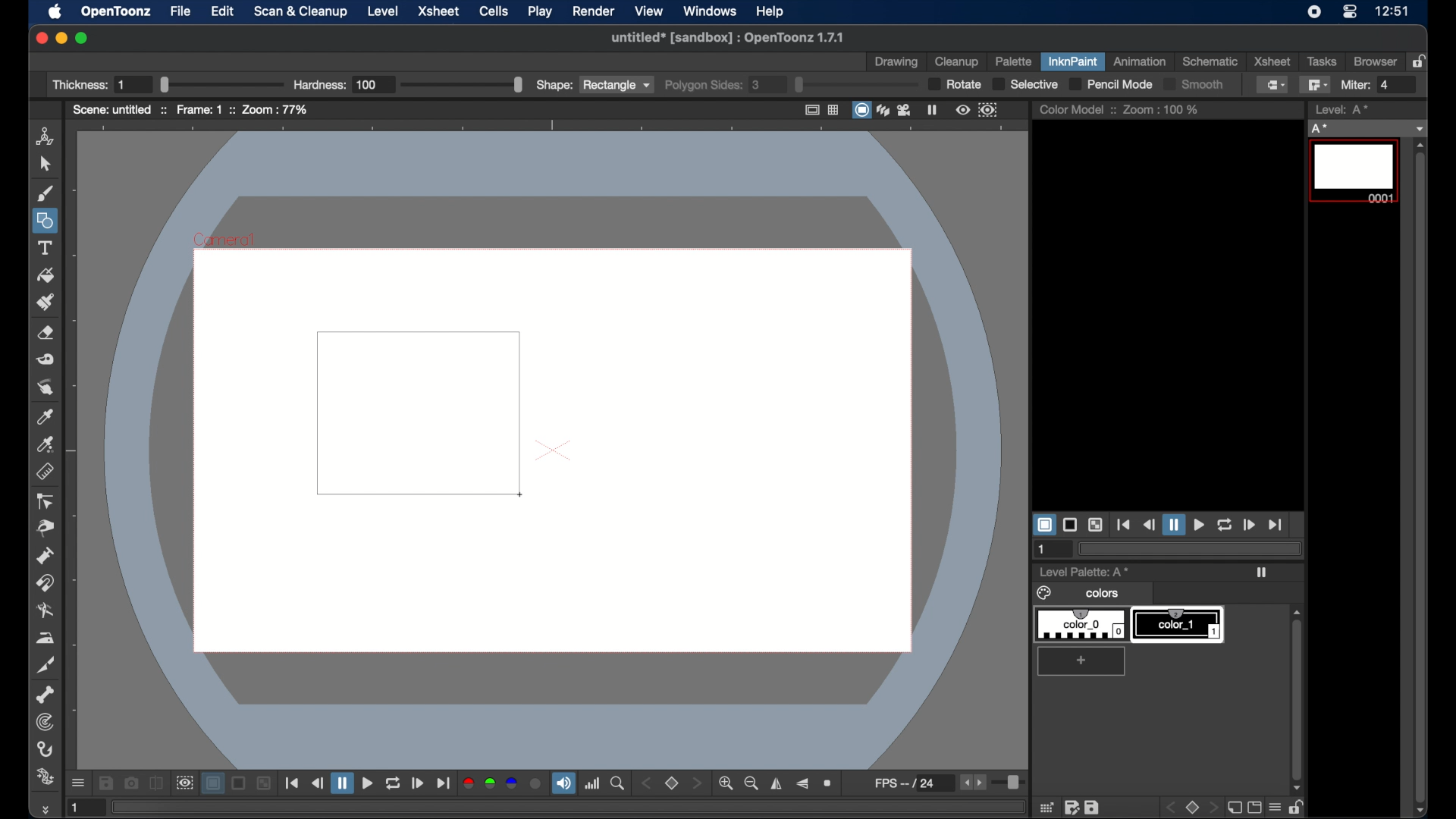 The image size is (1456, 819). What do you see at coordinates (1296, 807) in the screenshot?
I see `unlock` at bounding box center [1296, 807].